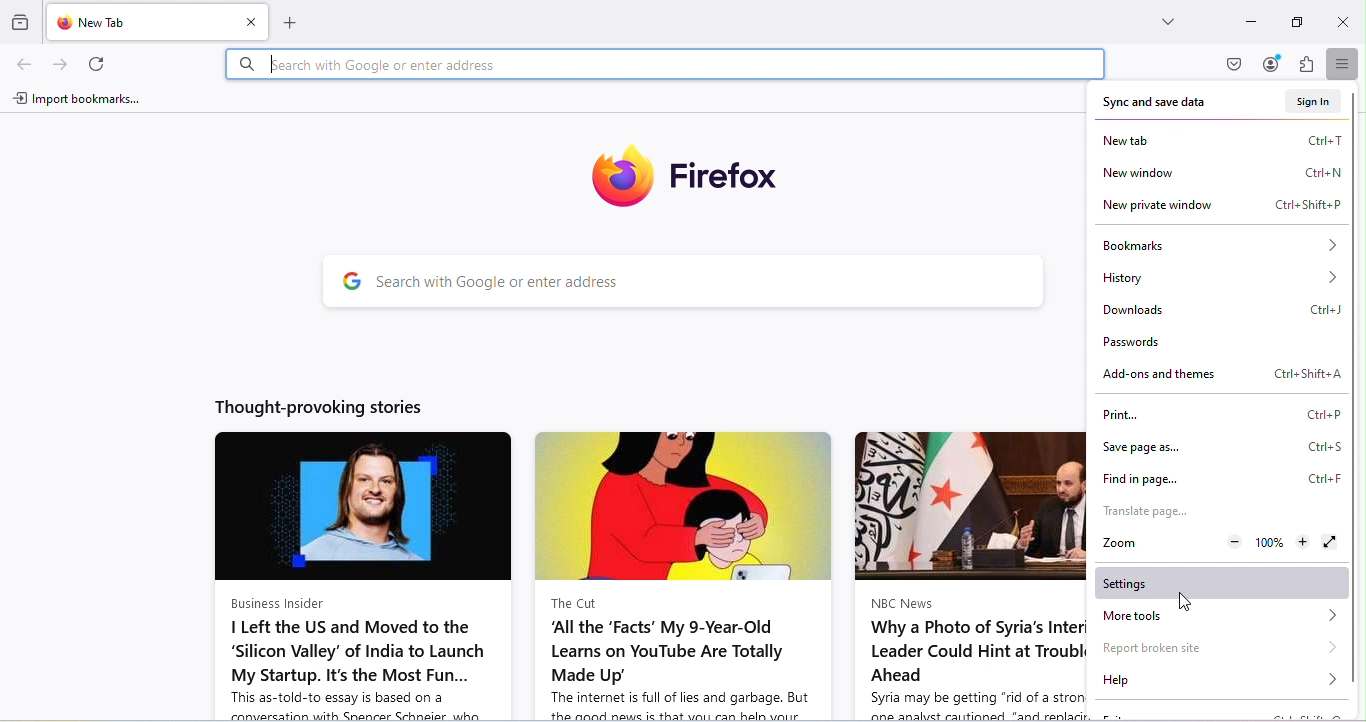 This screenshot has height=722, width=1366. I want to click on New private window, so click(1219, 207).